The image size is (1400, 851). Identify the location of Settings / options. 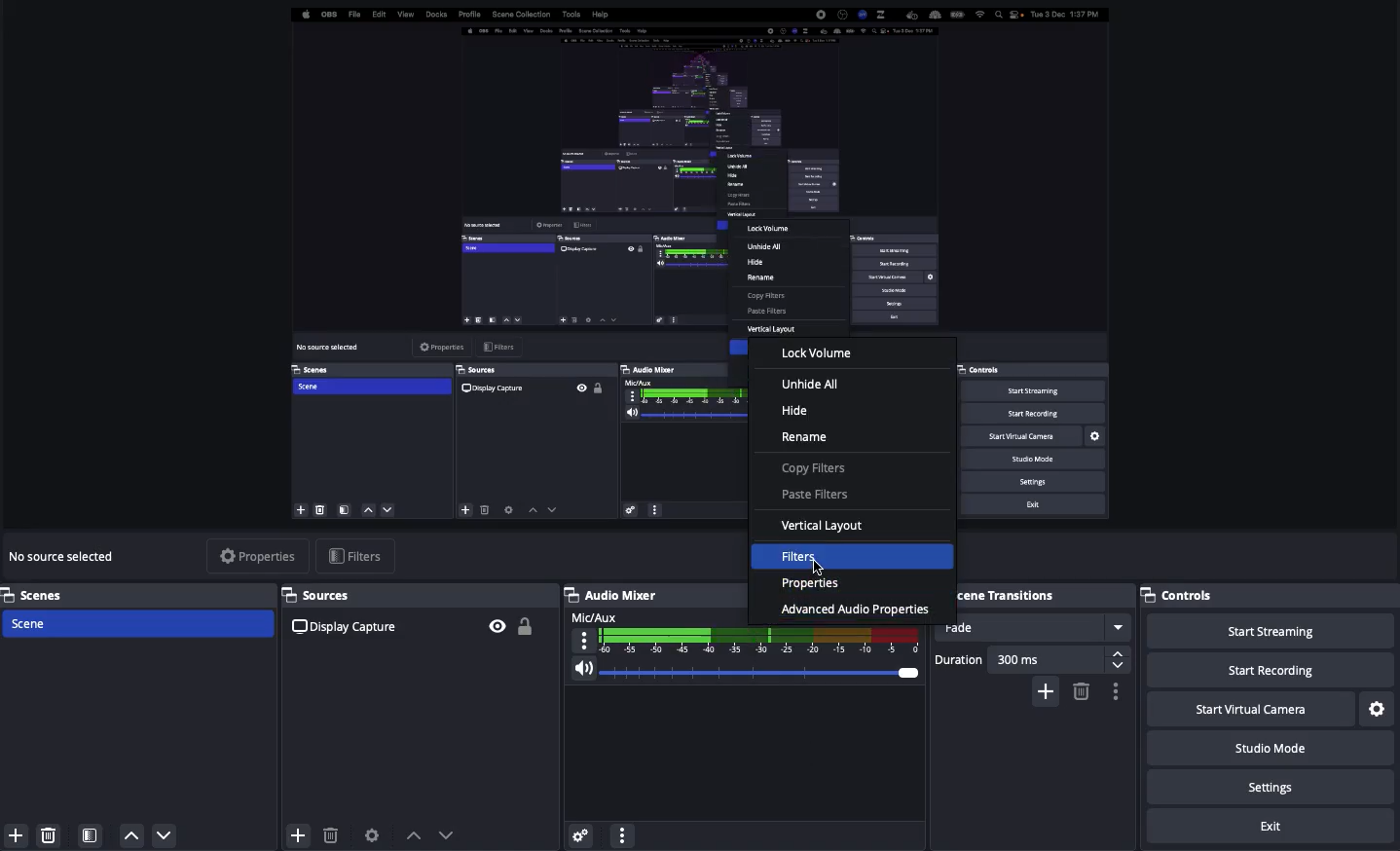
(1117, 692).